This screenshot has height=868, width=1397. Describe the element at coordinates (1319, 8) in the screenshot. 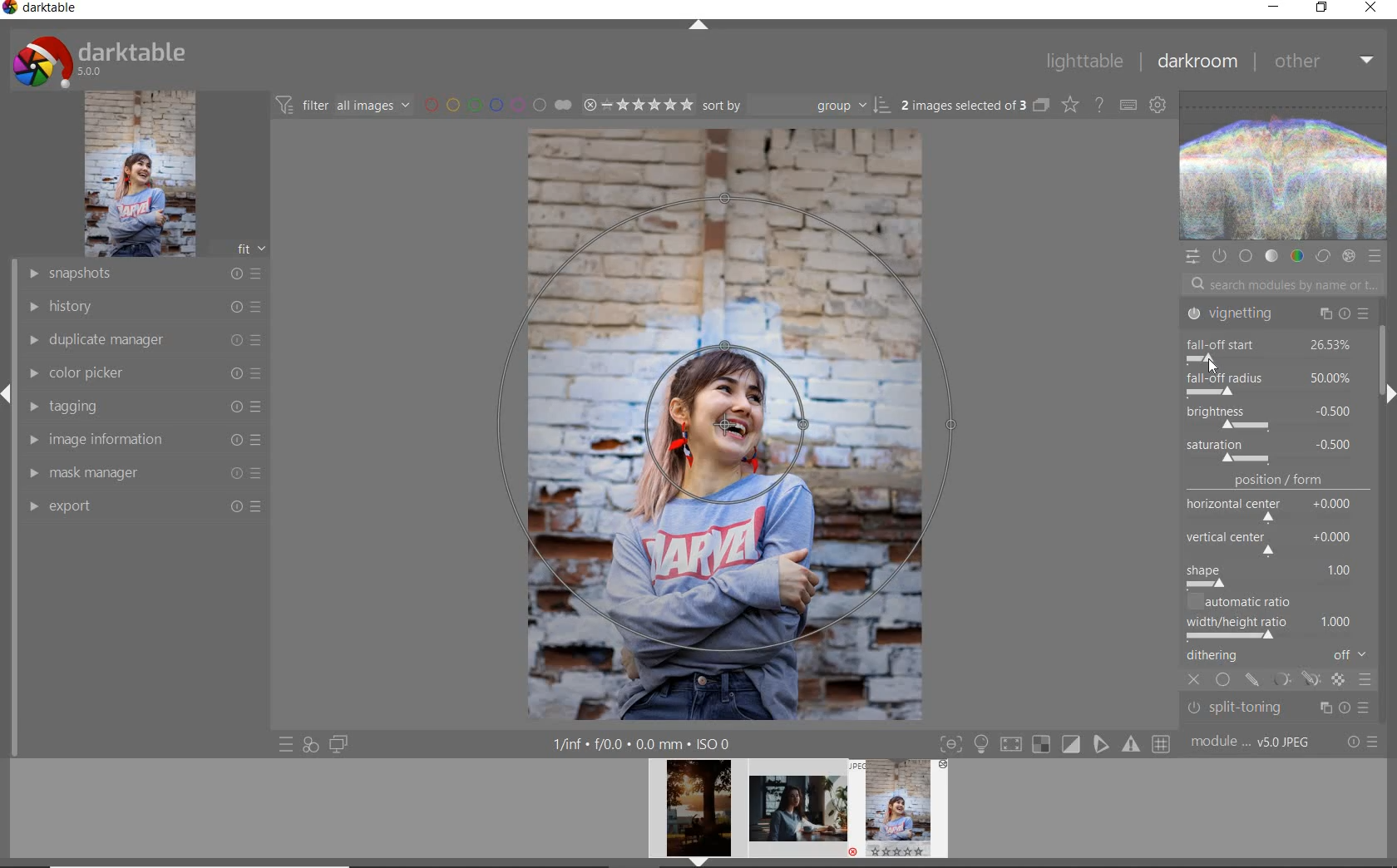

I see `RSTORE` at that location.